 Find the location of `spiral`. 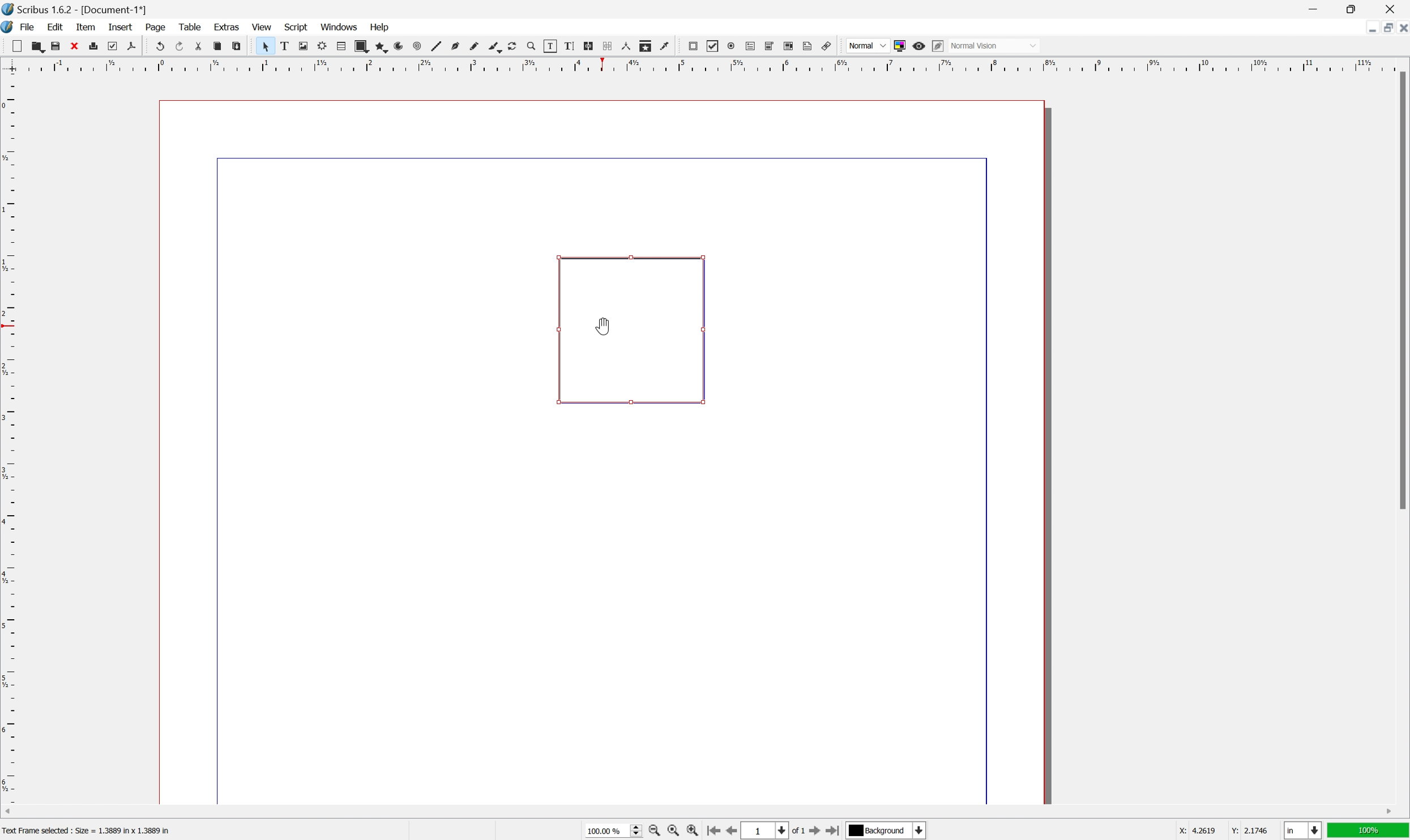

spiral is located at coordinates (418, 46).